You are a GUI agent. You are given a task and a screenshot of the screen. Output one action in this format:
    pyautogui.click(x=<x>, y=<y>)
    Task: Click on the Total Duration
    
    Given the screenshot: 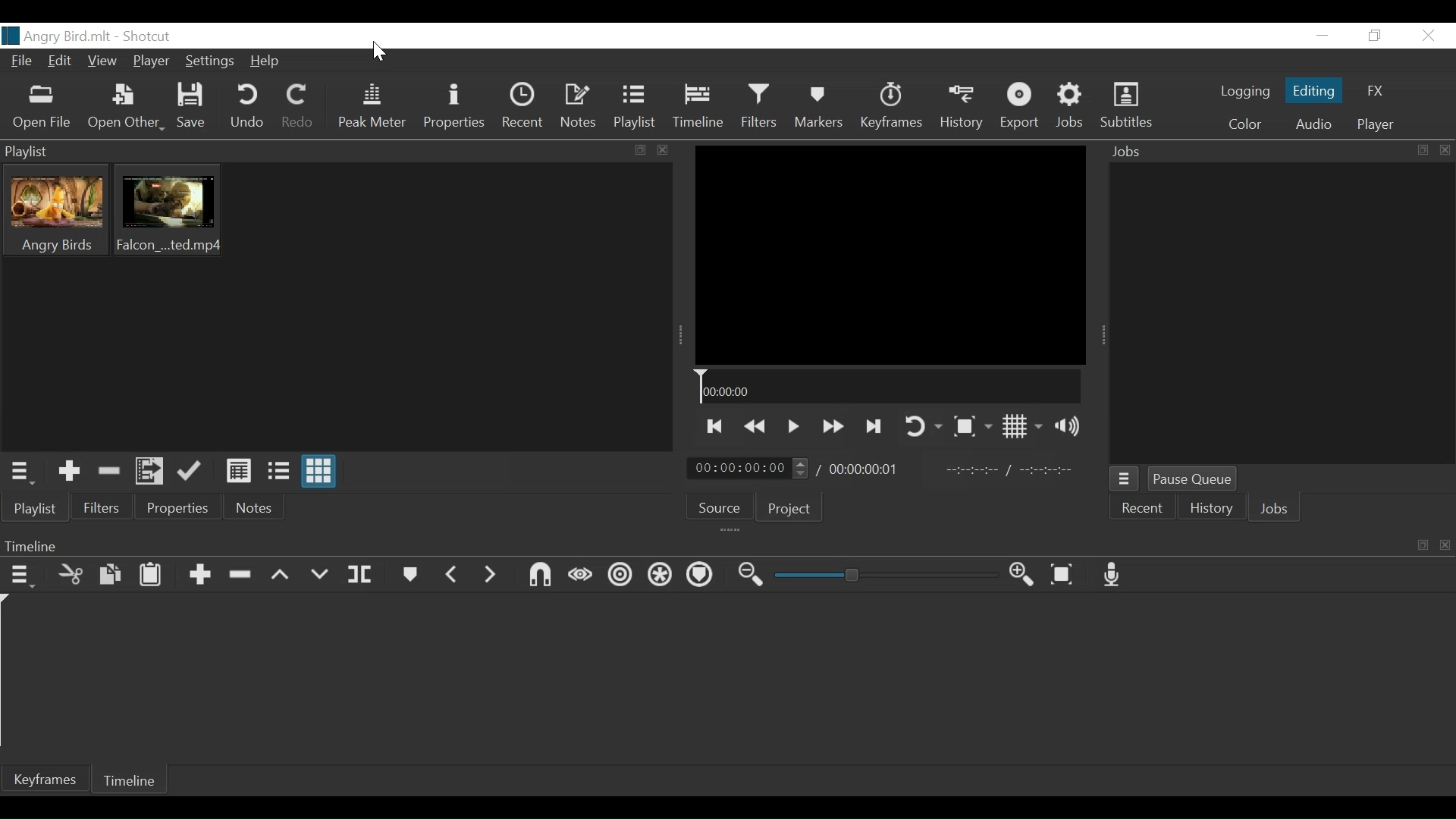 What is the action you would take?
    pyautogui.click(x=873, y=469)
    